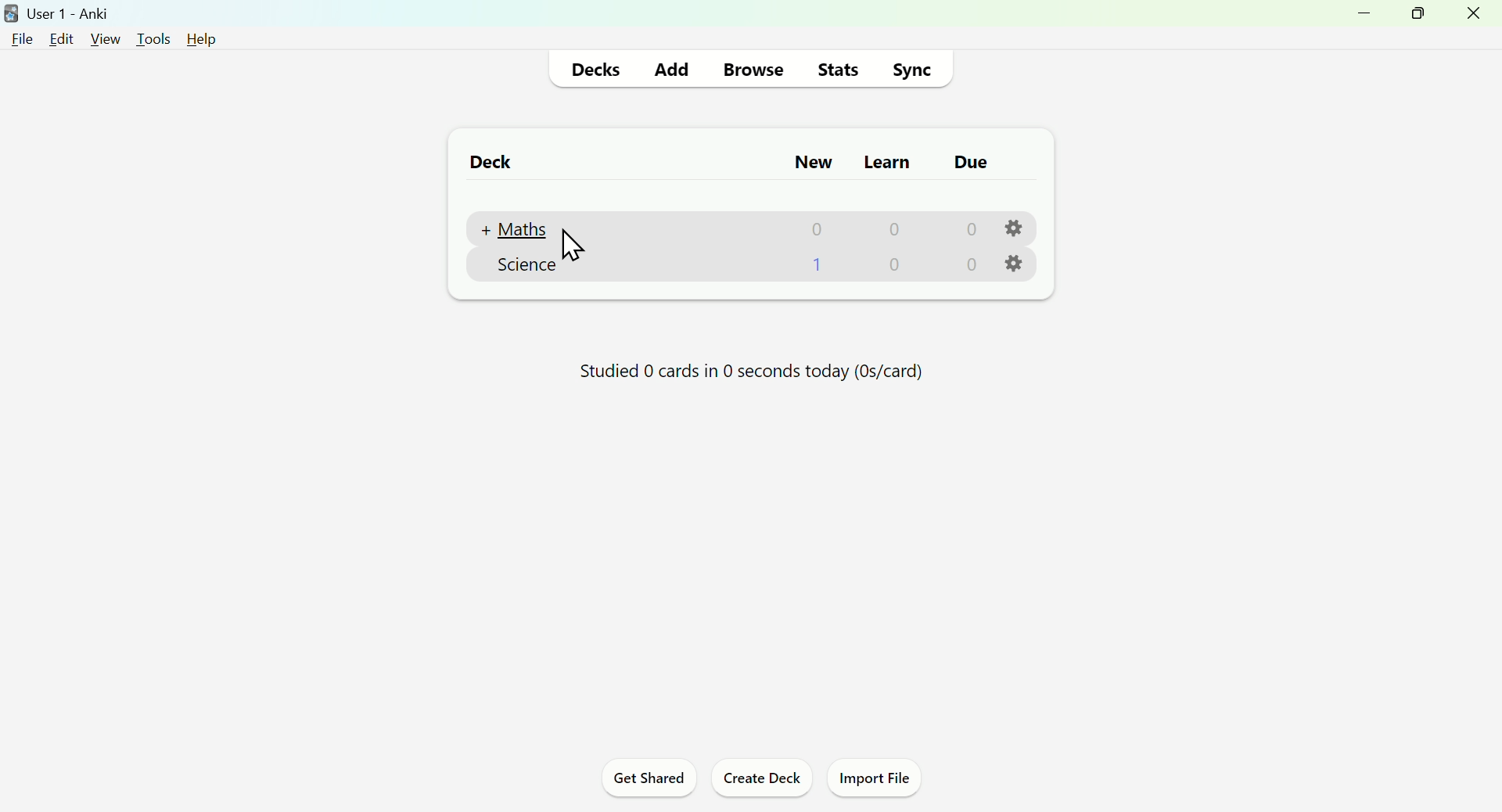 Image resolution: width=1502 pixels, height=812 pixels. What do you see at coordinates (1367, 16) in the screenshot?
I see `minimize` at bounding box center [1367, 16].